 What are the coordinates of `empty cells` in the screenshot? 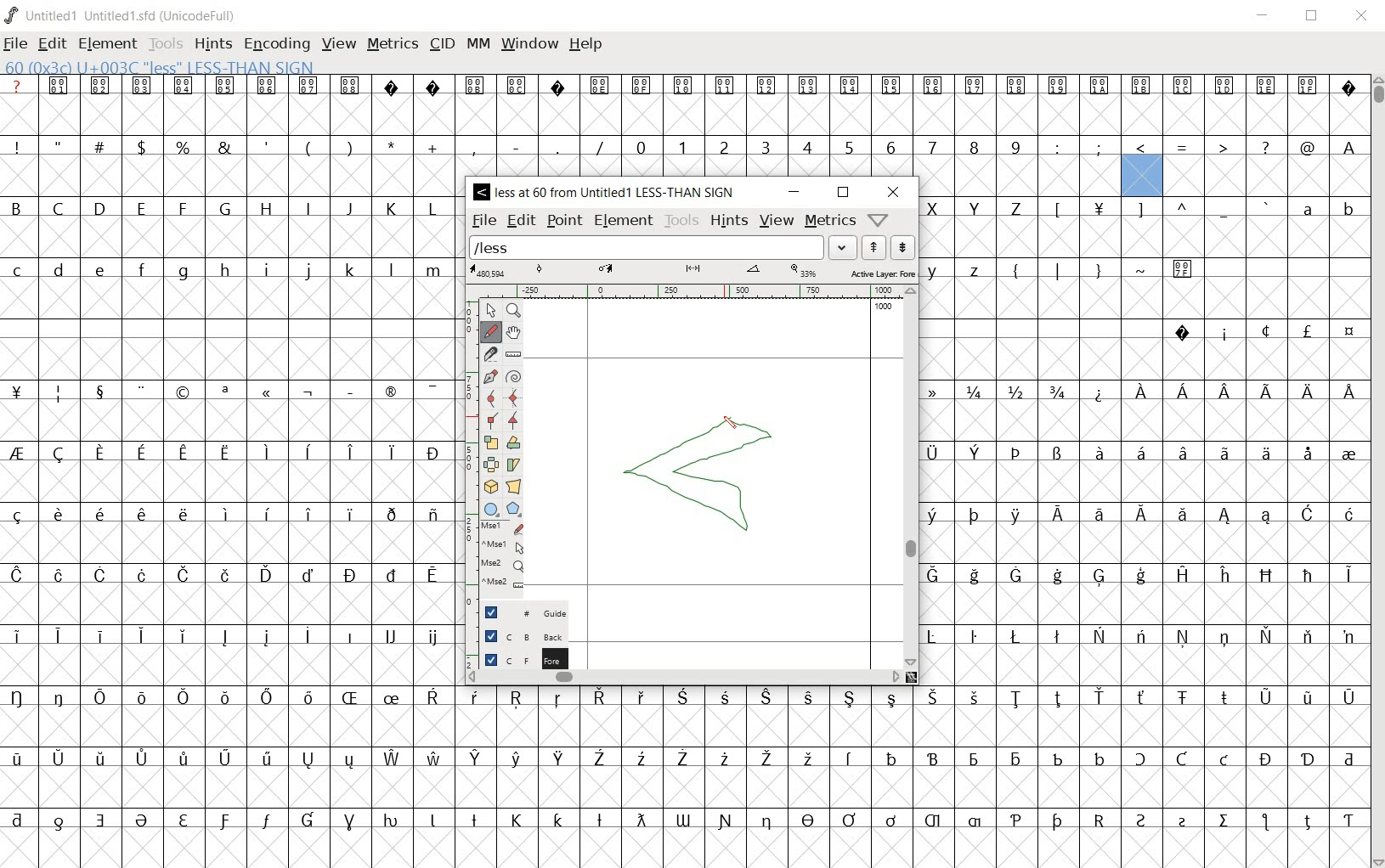 It's located at (229, 421).